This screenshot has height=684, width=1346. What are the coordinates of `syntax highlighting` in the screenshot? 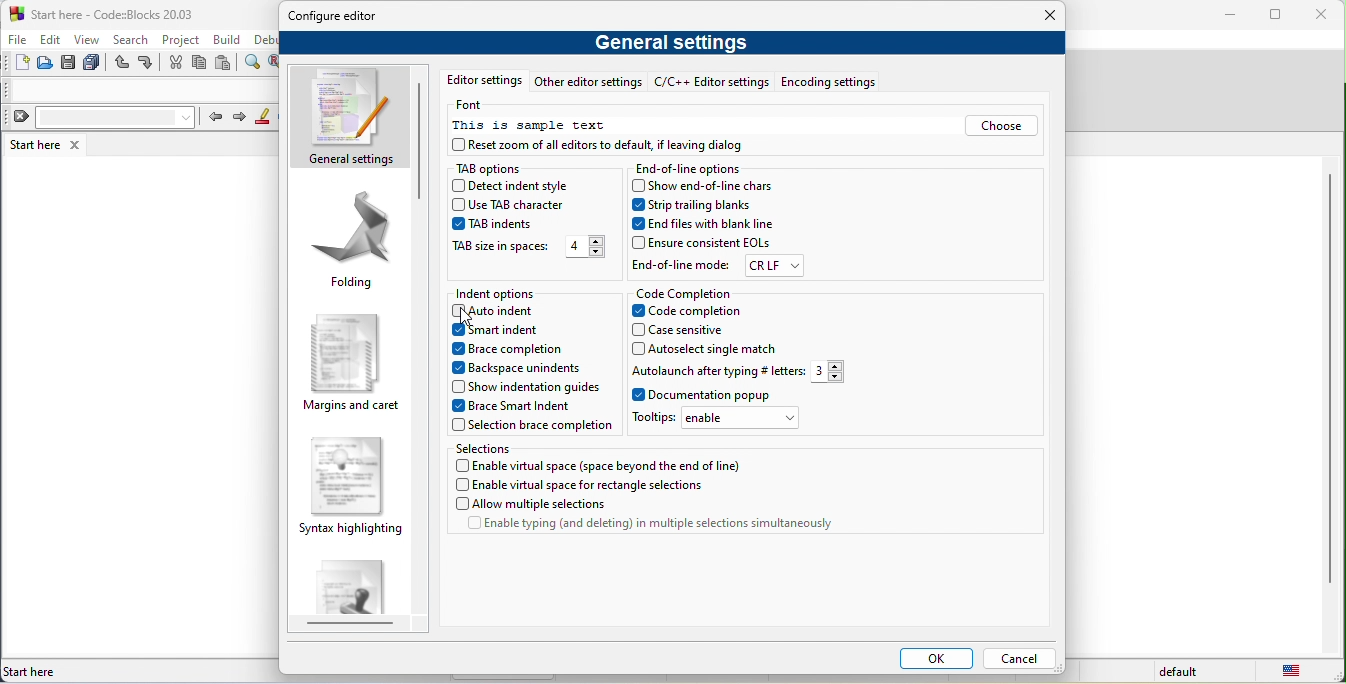 It's located at (348, 490).